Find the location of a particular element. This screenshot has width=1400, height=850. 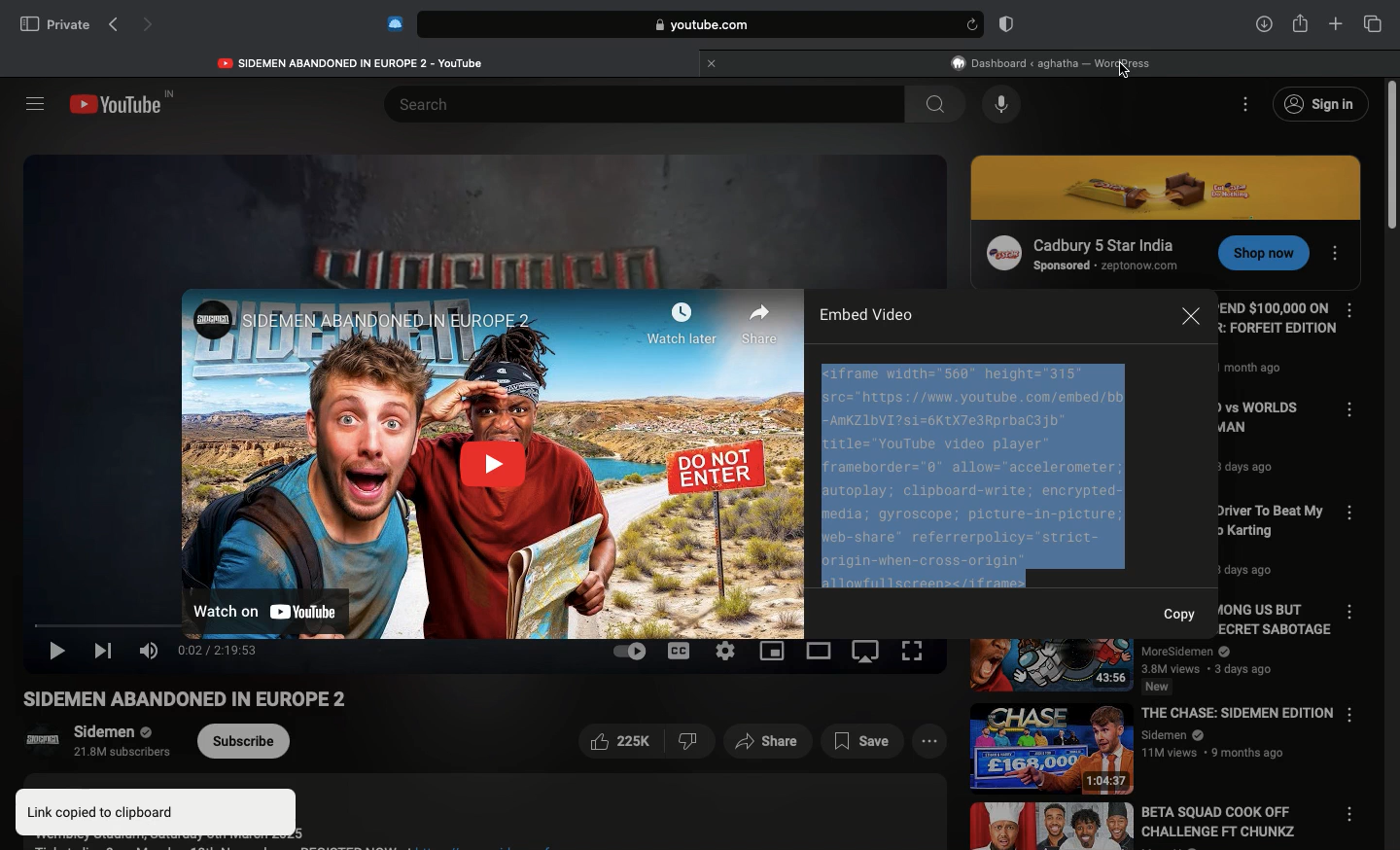

refresh is located at coordinates (970, 24).